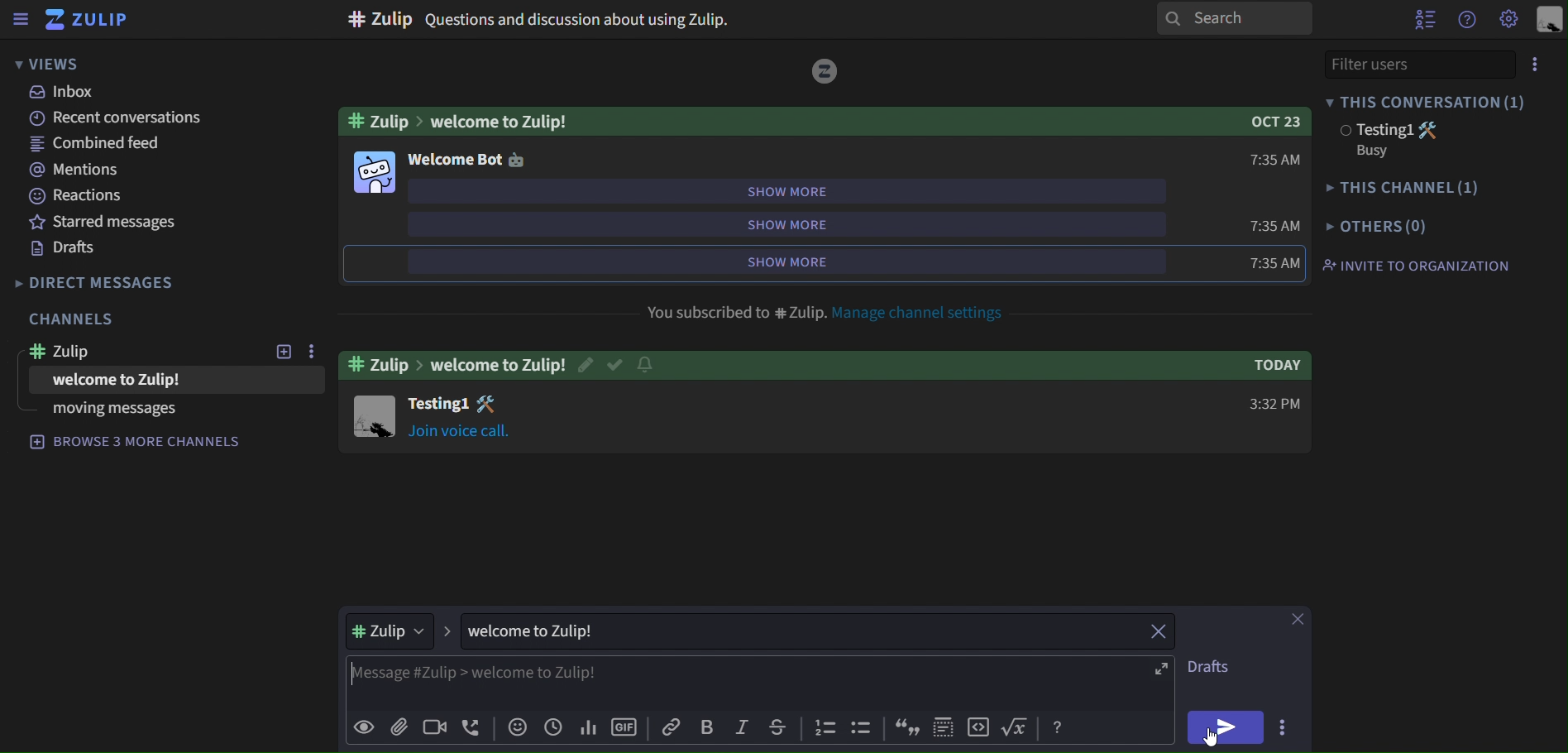 The image size is (1568, 753). What do you see at coordinates (22, 21) in the screenshot?
I see `sidebar` at bounding box center [22, 21].